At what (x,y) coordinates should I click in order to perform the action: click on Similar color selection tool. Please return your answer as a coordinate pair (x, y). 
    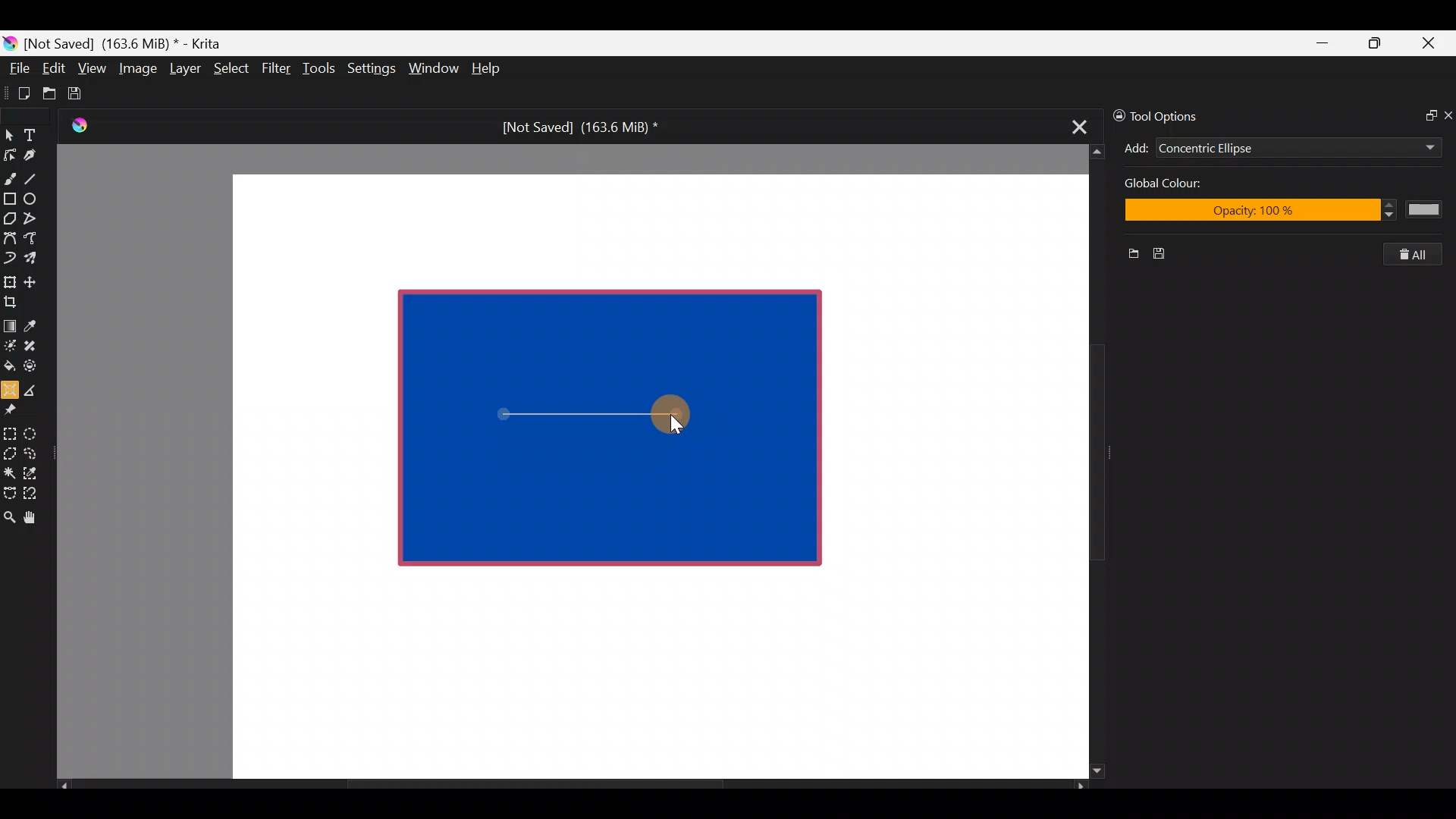
    Looking at the image, I should click on (33, 472).